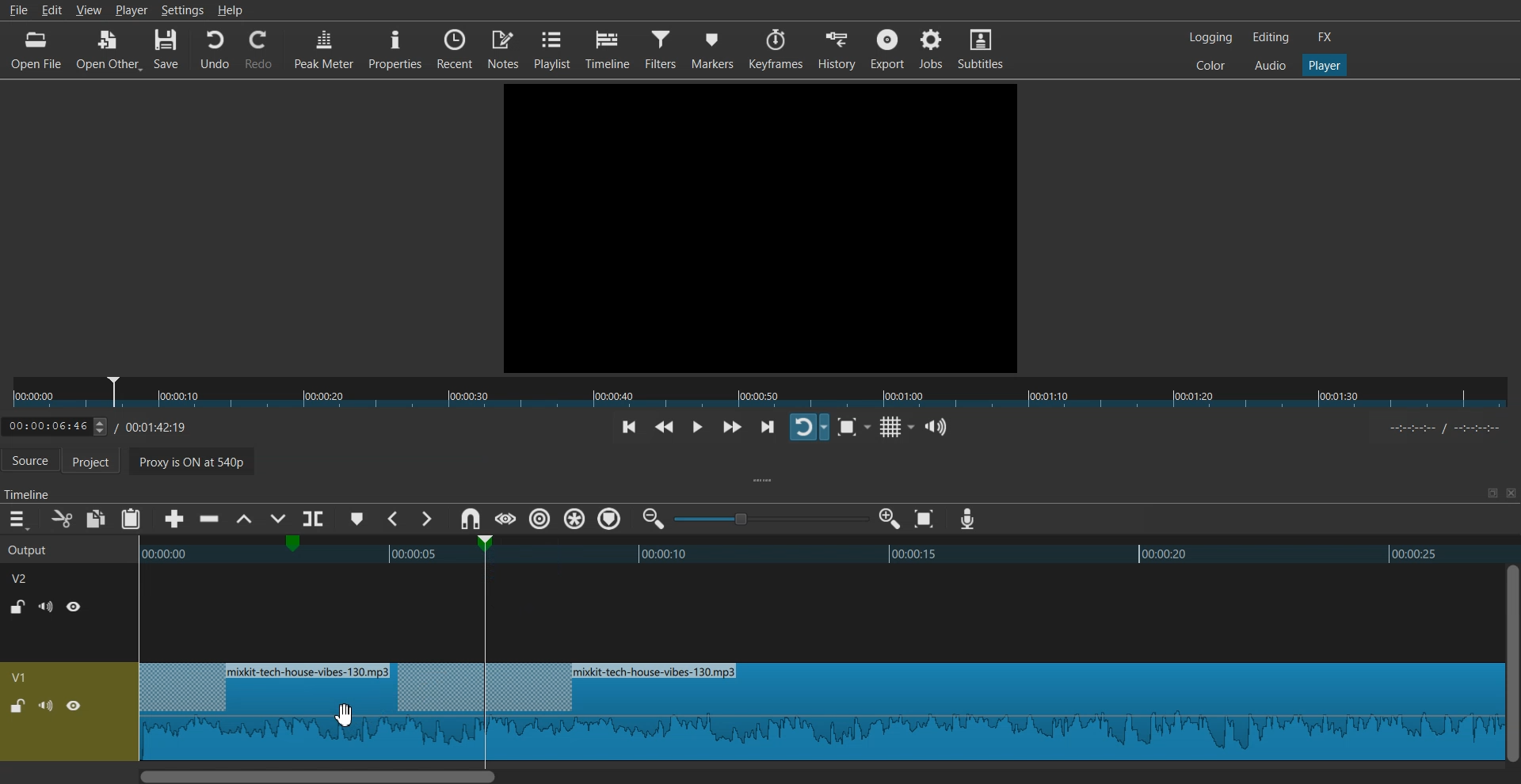 Image resolution: width=1521 pixels, height=784 pixels. What do you see at coordinates (38, 50) in the screenshot?
I see `Open File` at bounding box center [38, 50].